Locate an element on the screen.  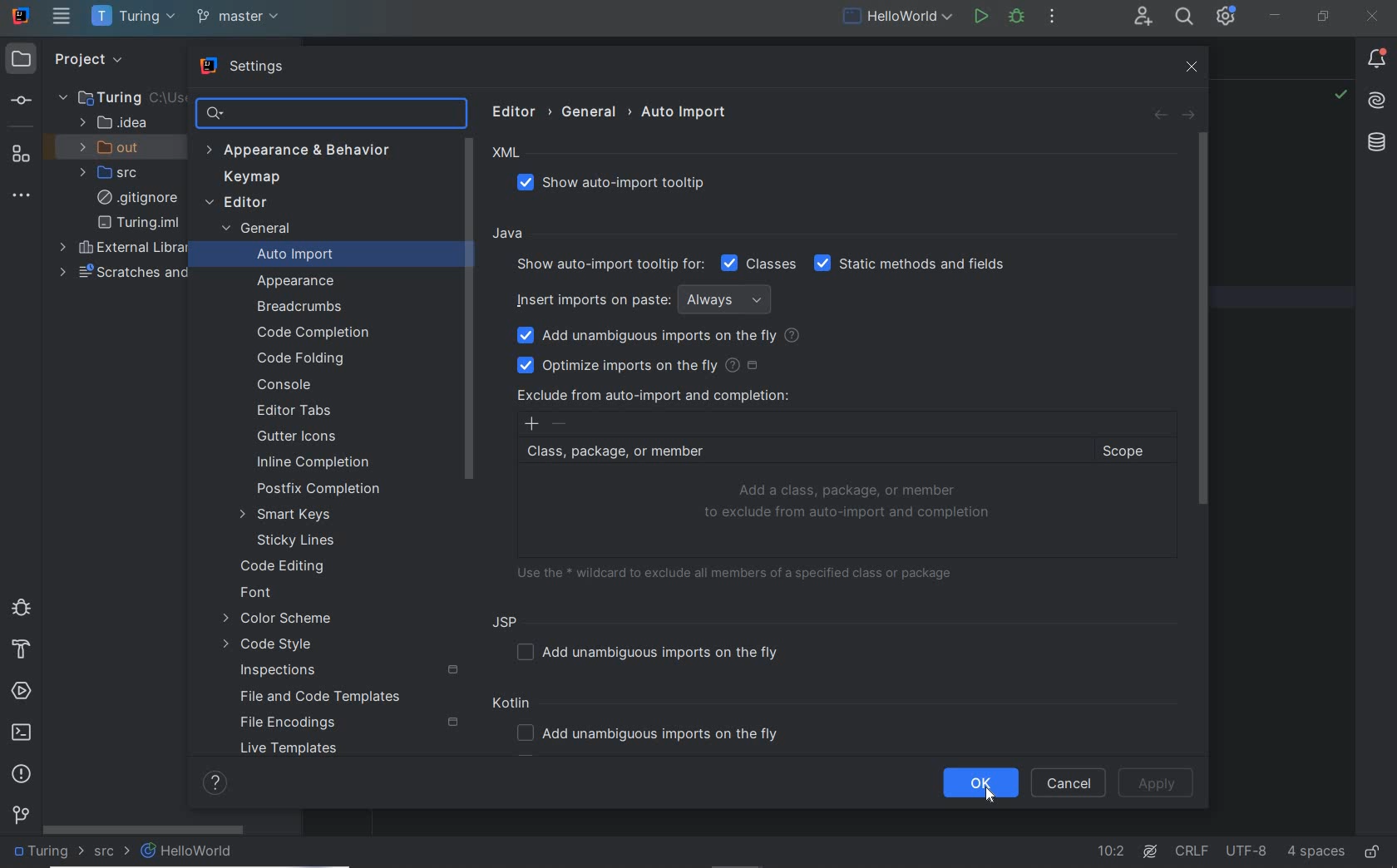
Git is located at coordinates (22, 818).